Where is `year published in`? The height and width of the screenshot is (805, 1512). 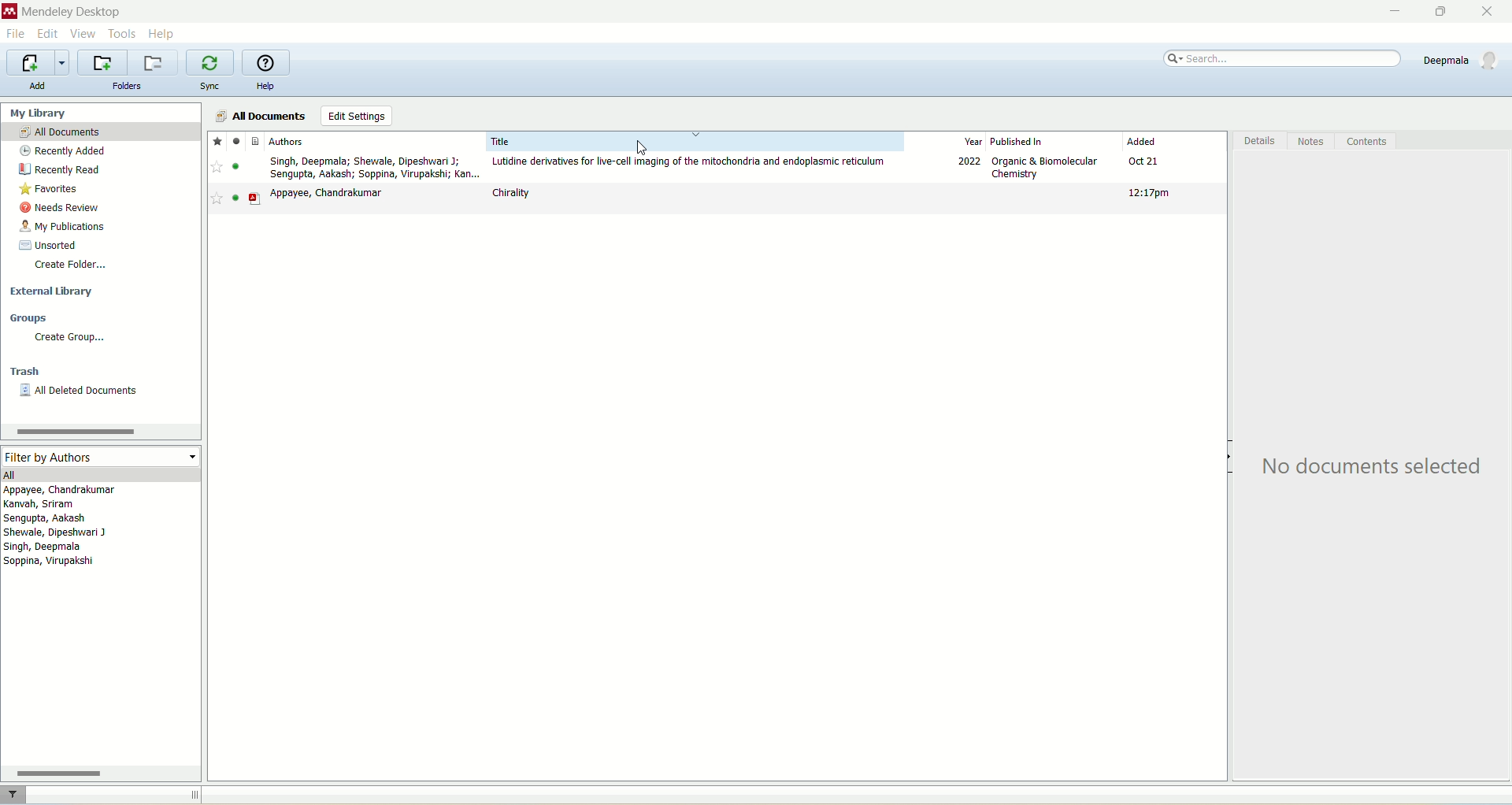 year published in is located at coordinates (1014, 142).